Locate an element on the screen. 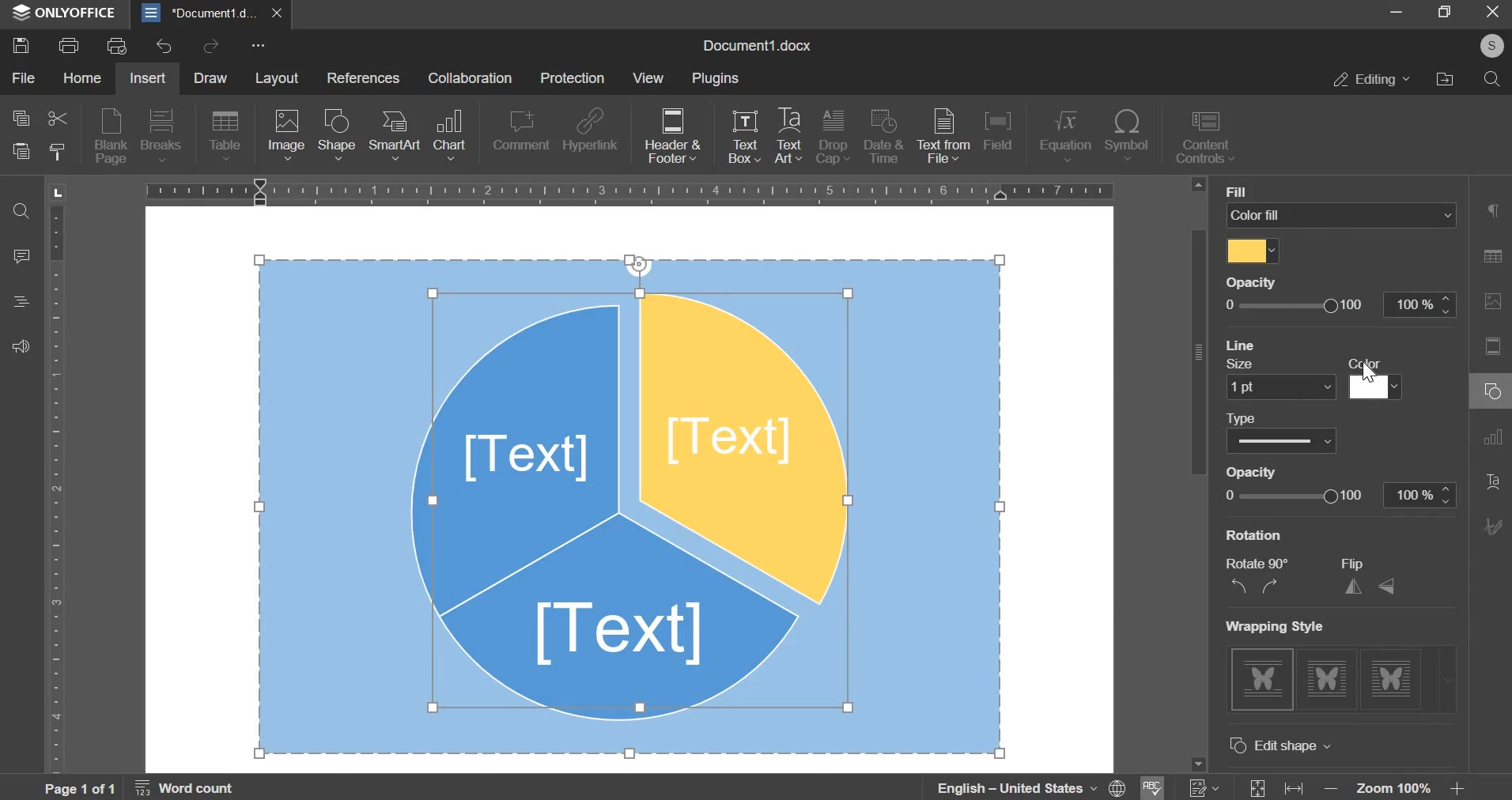  hyperlink is located at coordinates (592, 128).